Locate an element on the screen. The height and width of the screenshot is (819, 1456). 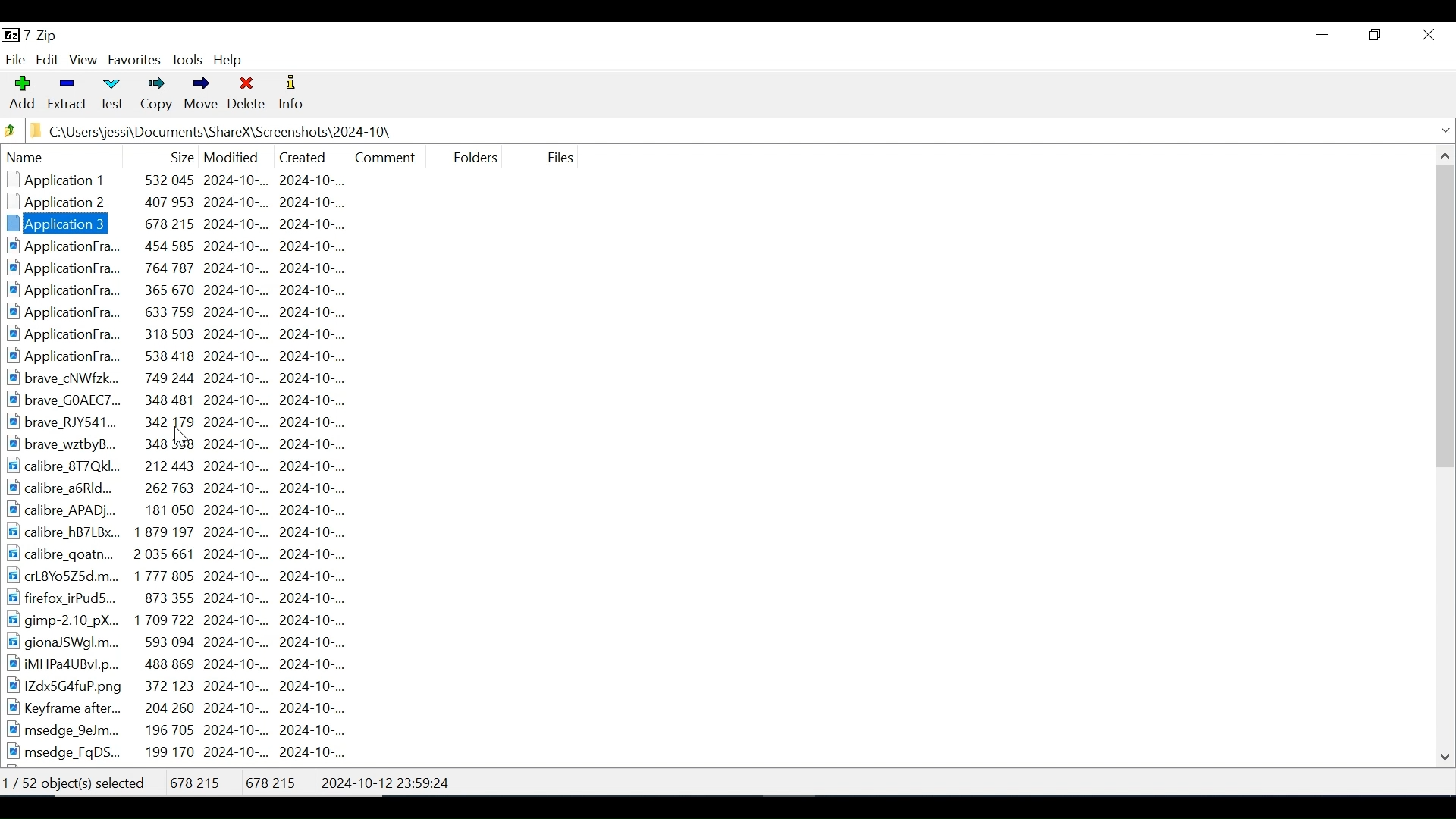
Edit is located at coordinates (47, 60).